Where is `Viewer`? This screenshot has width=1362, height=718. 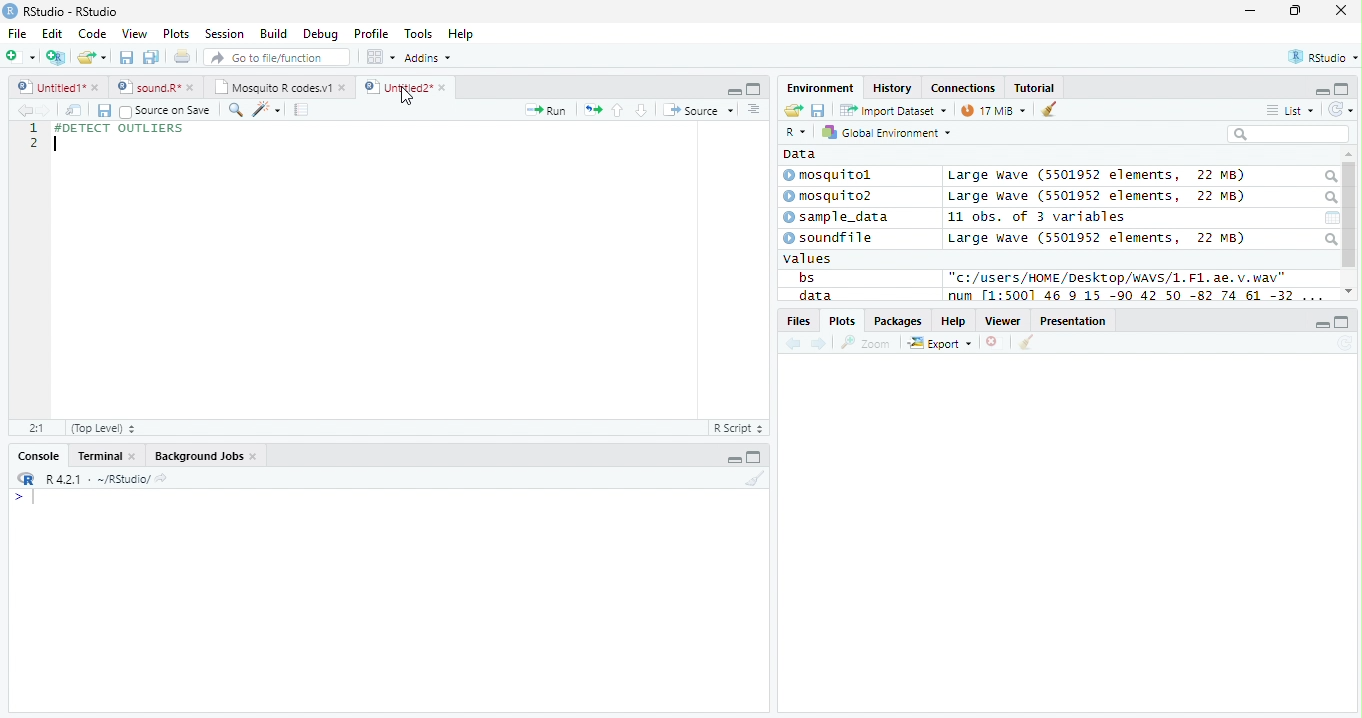
Viewer is located at coordinates (1003, 321).